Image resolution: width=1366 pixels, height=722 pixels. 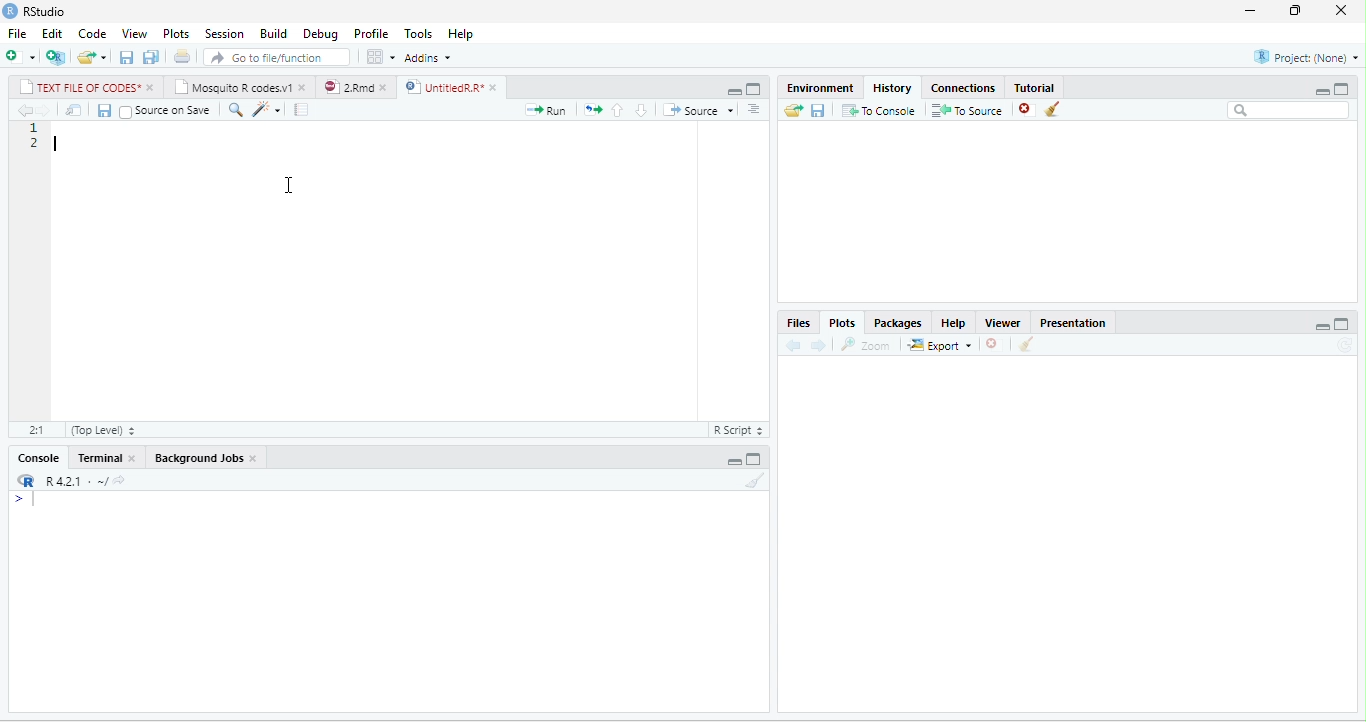 What do you see at coordinates (150, 57) in the screenshot?
I see `save all` at bounding box center [150, 57].